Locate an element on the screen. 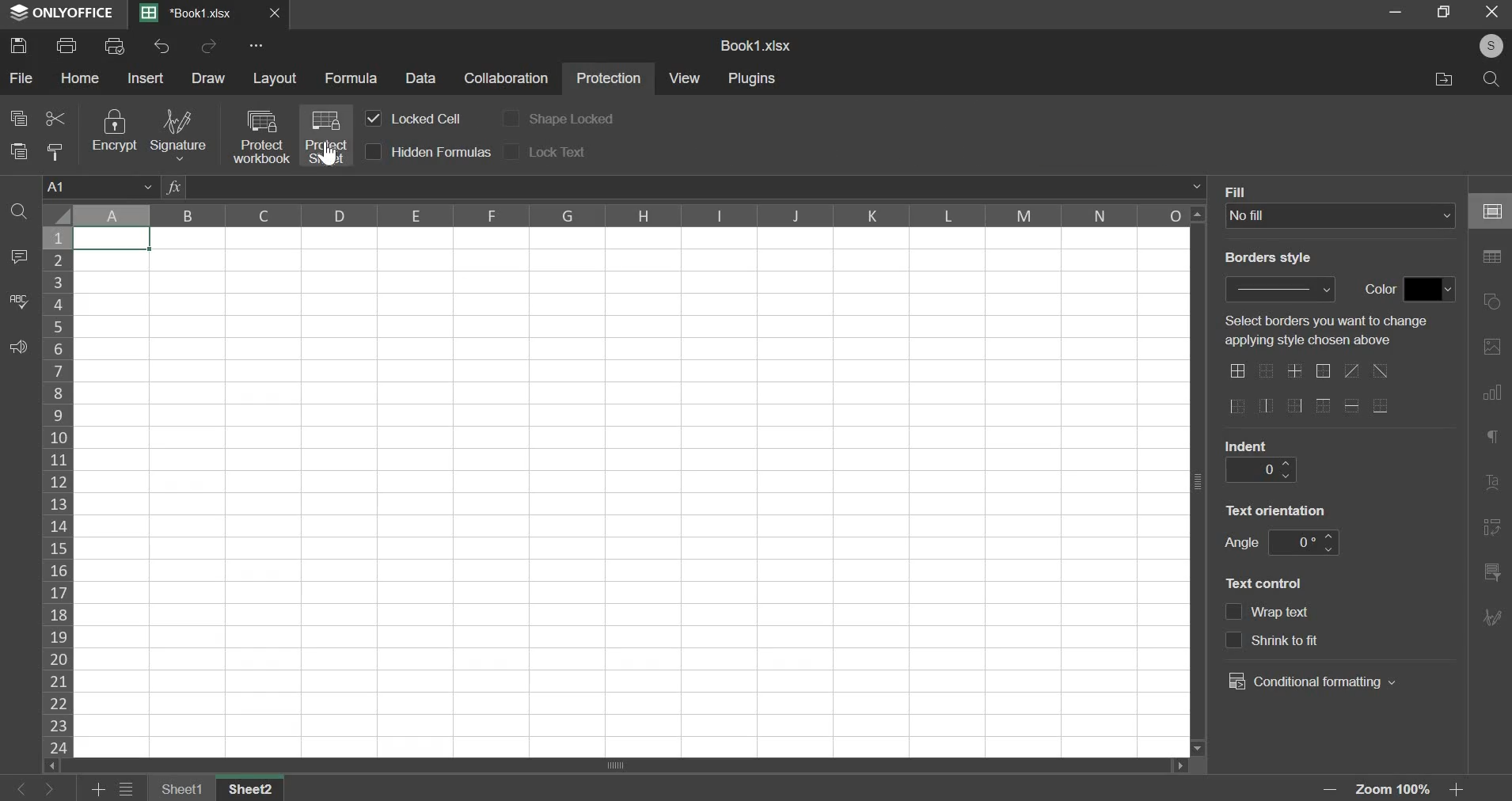  text control is located at coordinates (1267, 582).